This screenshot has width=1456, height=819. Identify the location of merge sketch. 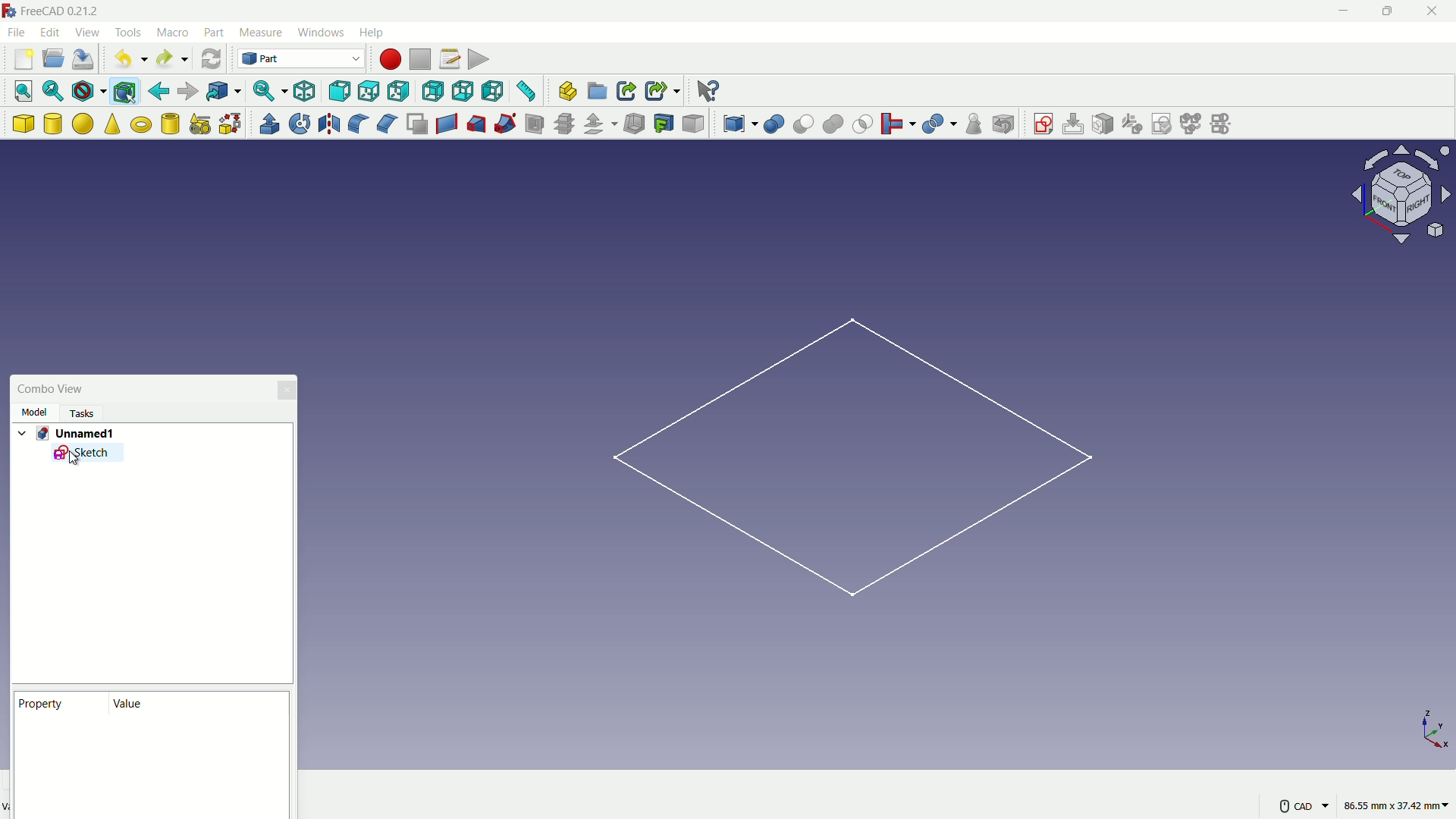
(1191, 123).